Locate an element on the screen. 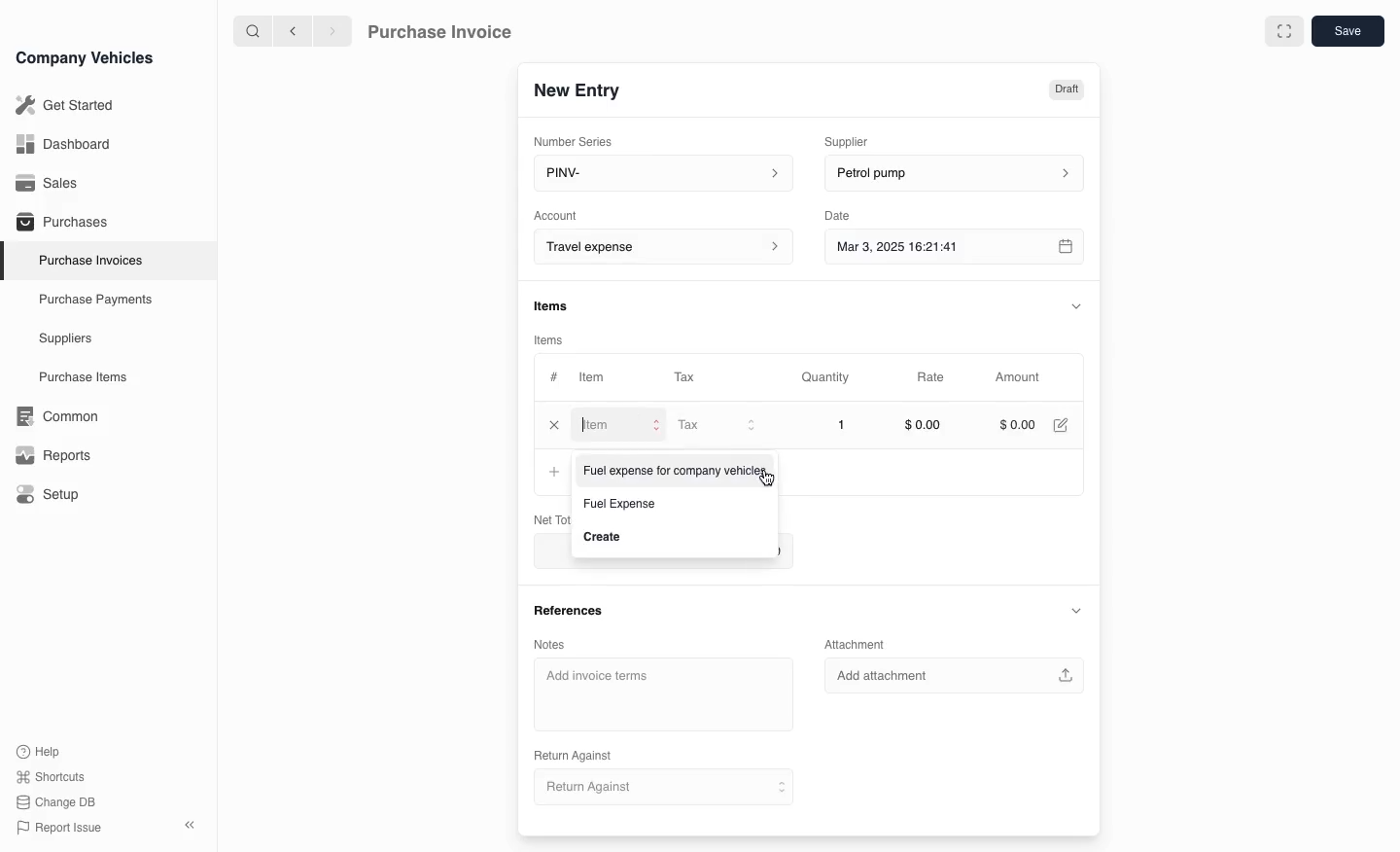 This screenshot has width=1400, height=852. $0.00 is located at coordinates (925, 425).